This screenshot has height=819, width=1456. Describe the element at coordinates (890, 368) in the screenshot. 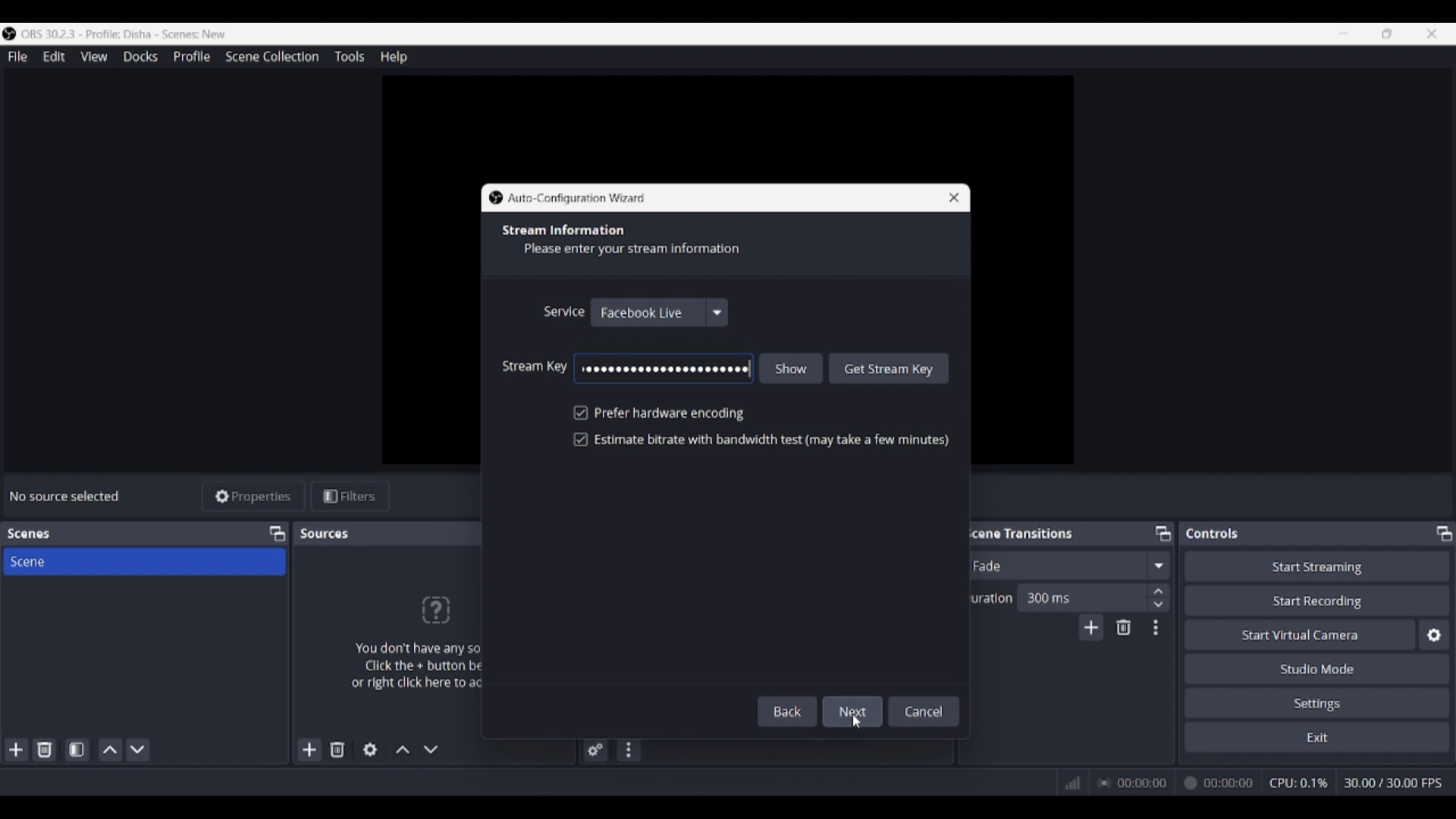

I see `Get stream key` at that location.